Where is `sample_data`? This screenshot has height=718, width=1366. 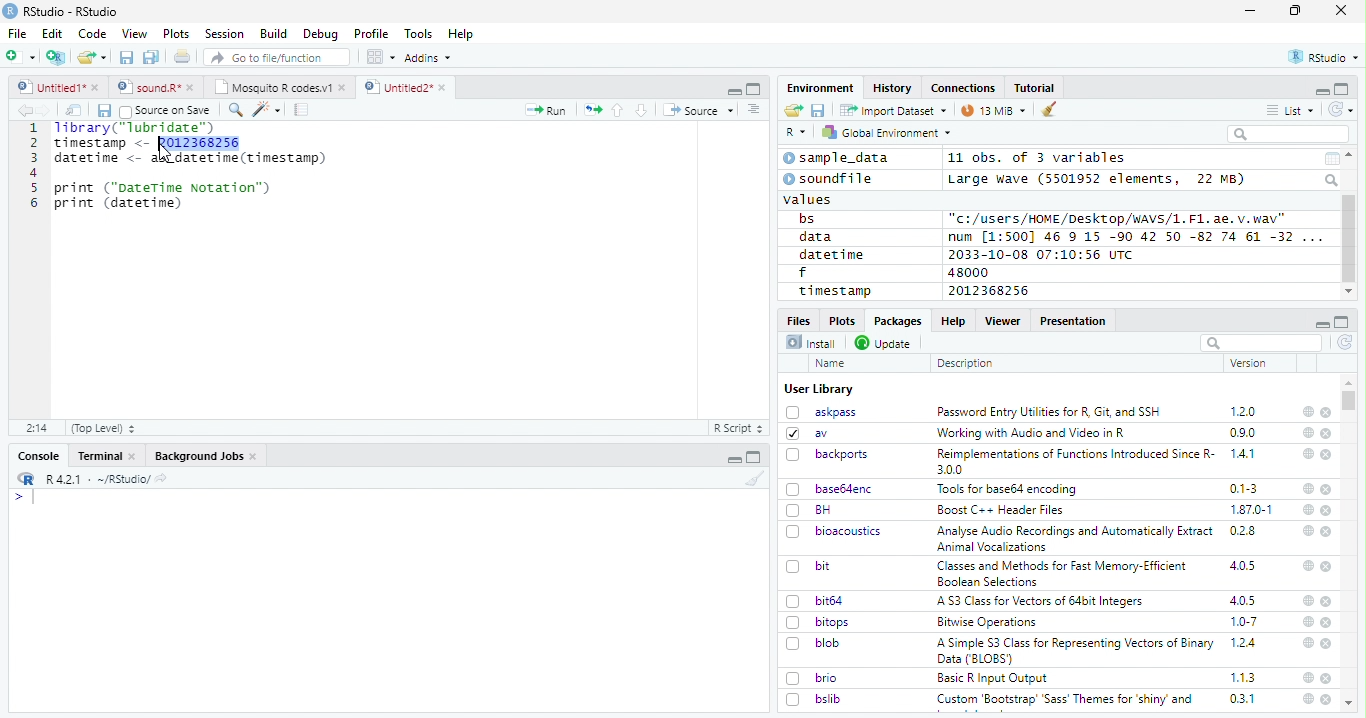
sample_data is located at coordinates (839, 158).